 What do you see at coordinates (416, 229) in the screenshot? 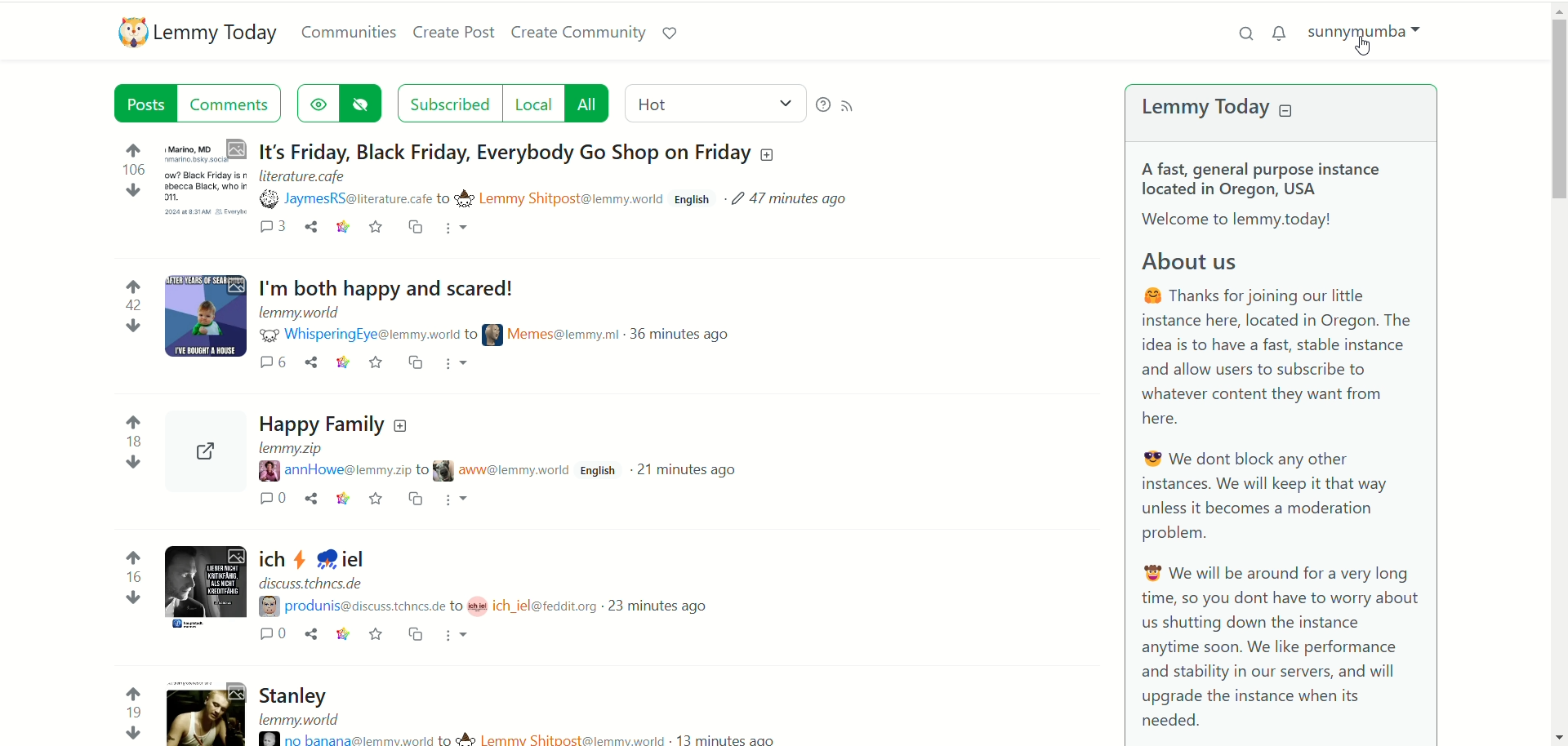
I see `cross-post` at bounding box center [416, 229].